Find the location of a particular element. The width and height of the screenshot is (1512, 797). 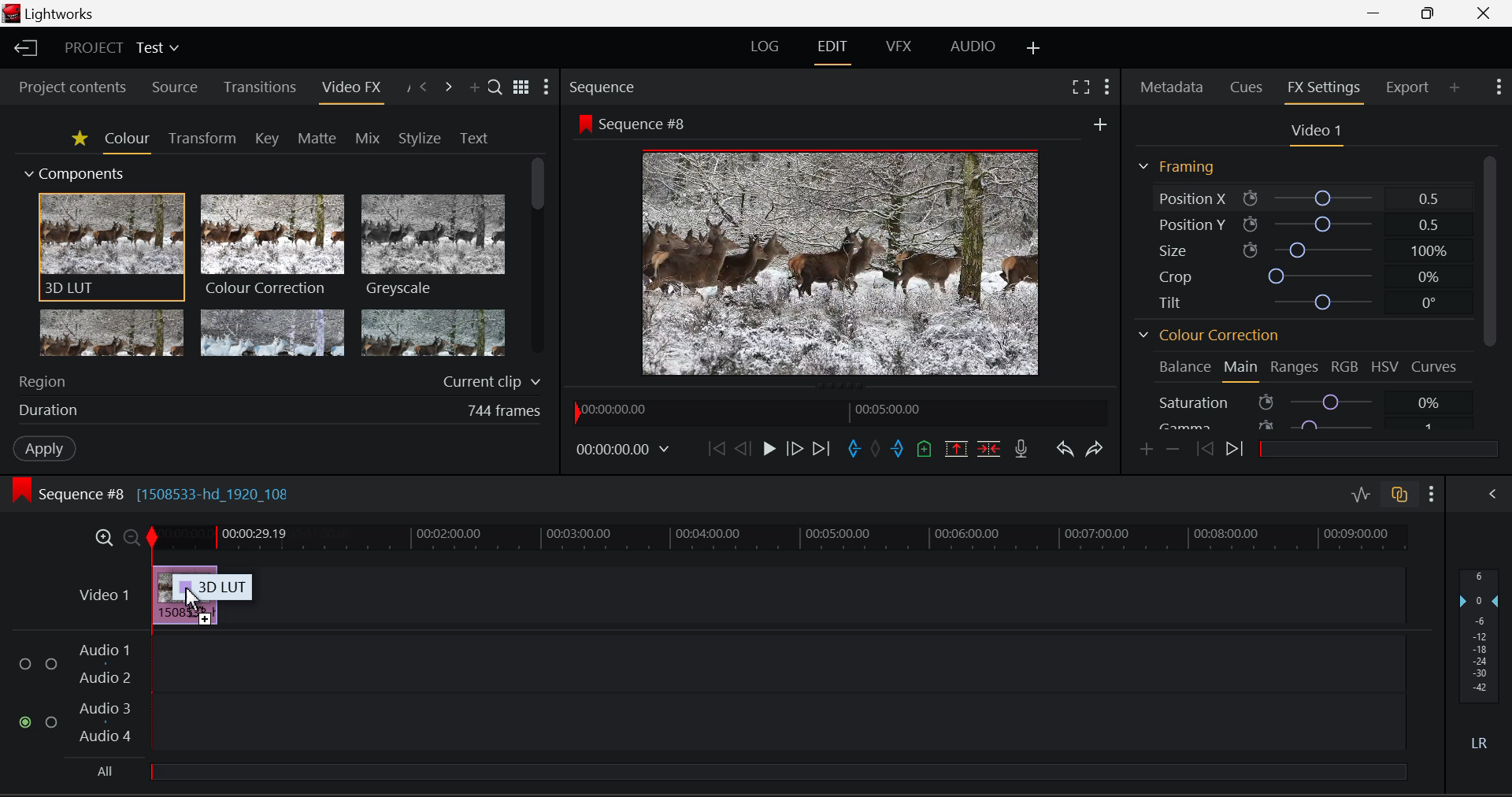

Stylize is located at coordinates (417, 139).